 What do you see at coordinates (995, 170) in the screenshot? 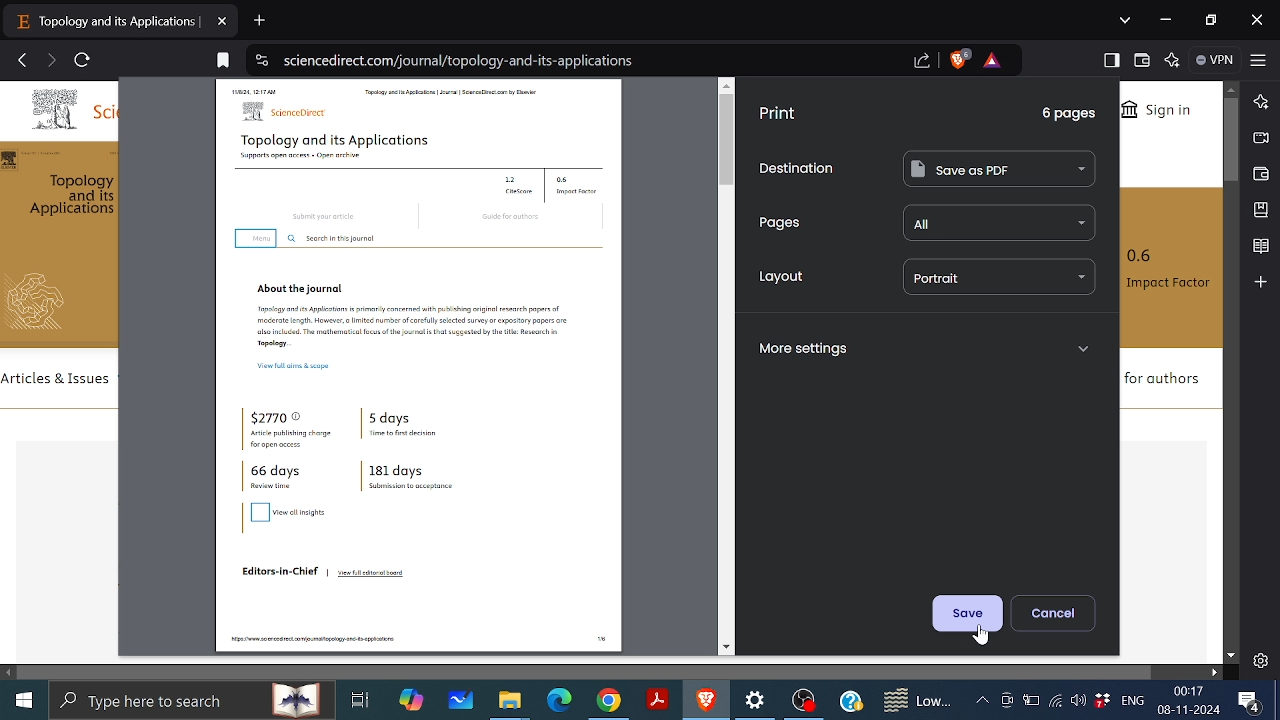
I see `Save as PDF` at bounding box center [995, 170].